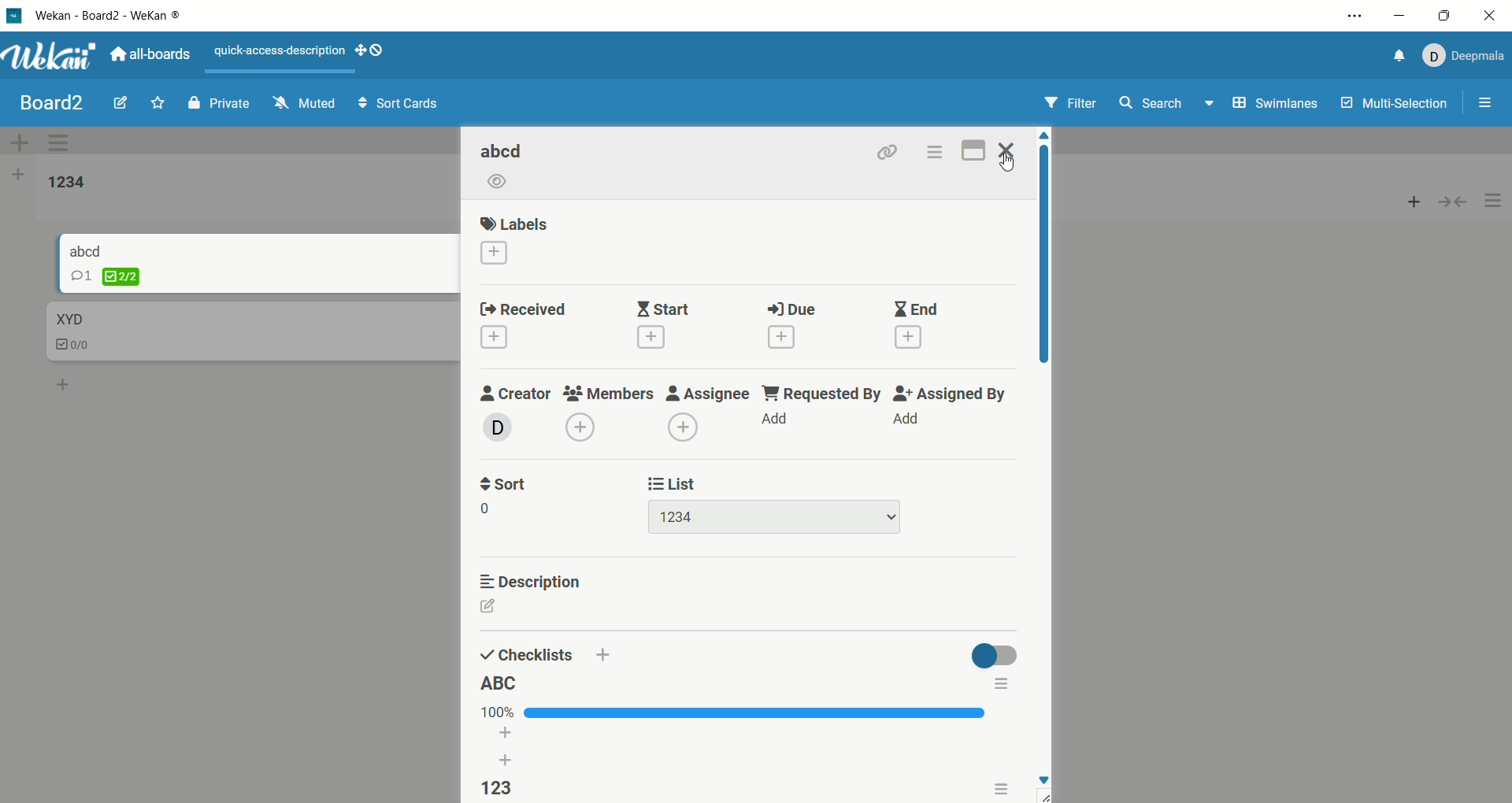 This screenshot has width=1512, height=803. I want to click on link, so click(886, 149).